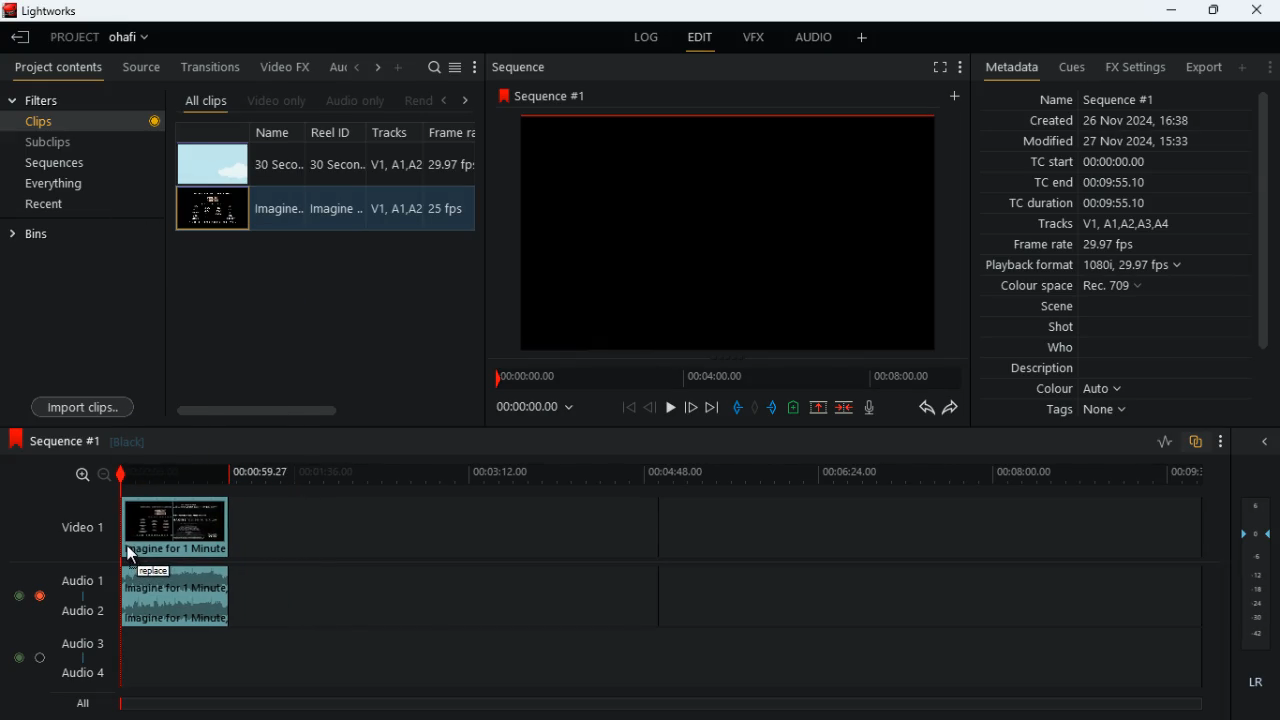  I want to click on hold, so click(756, 408).